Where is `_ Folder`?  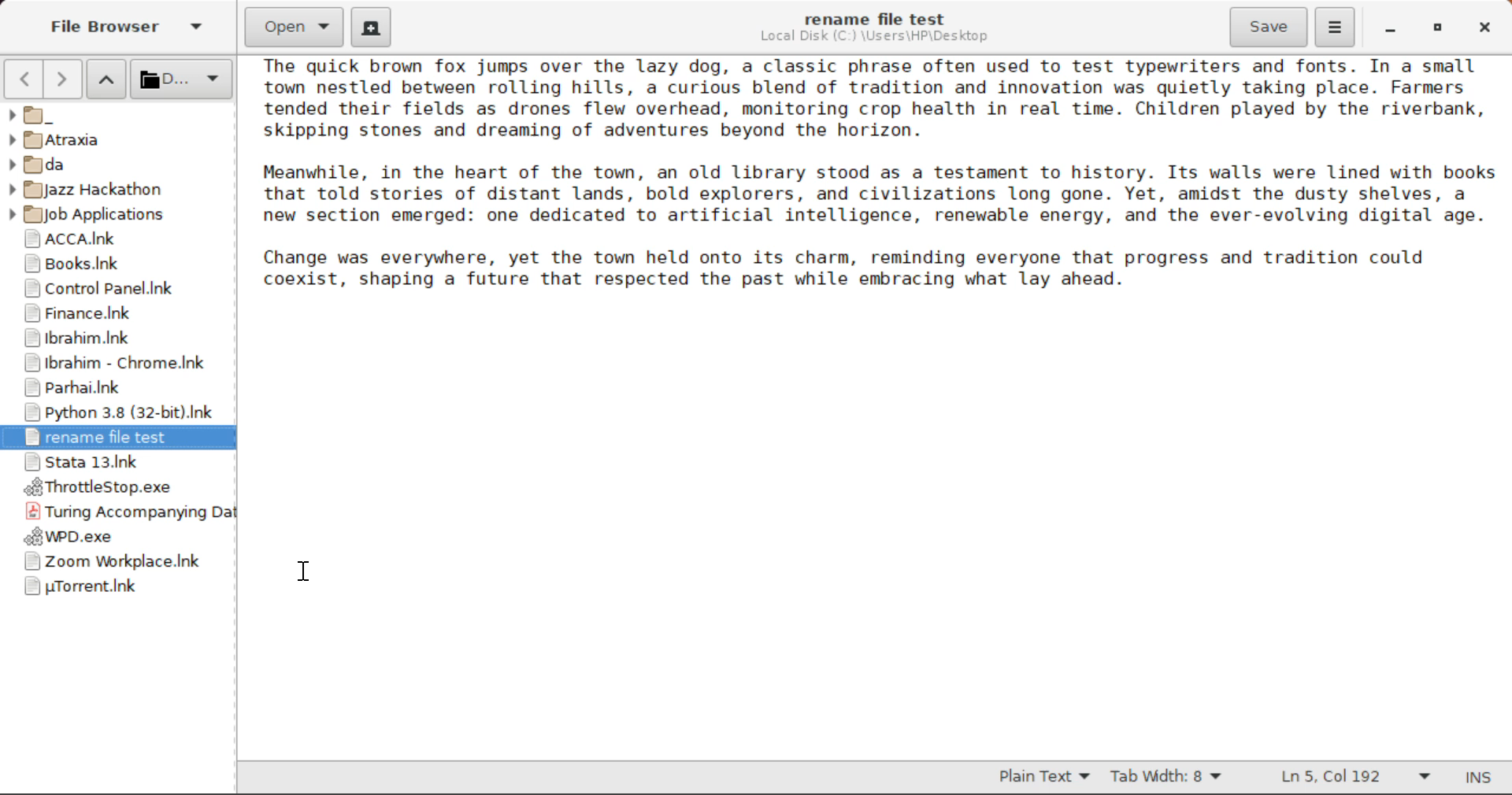 _ Folder is located at coordinates (115, 115).